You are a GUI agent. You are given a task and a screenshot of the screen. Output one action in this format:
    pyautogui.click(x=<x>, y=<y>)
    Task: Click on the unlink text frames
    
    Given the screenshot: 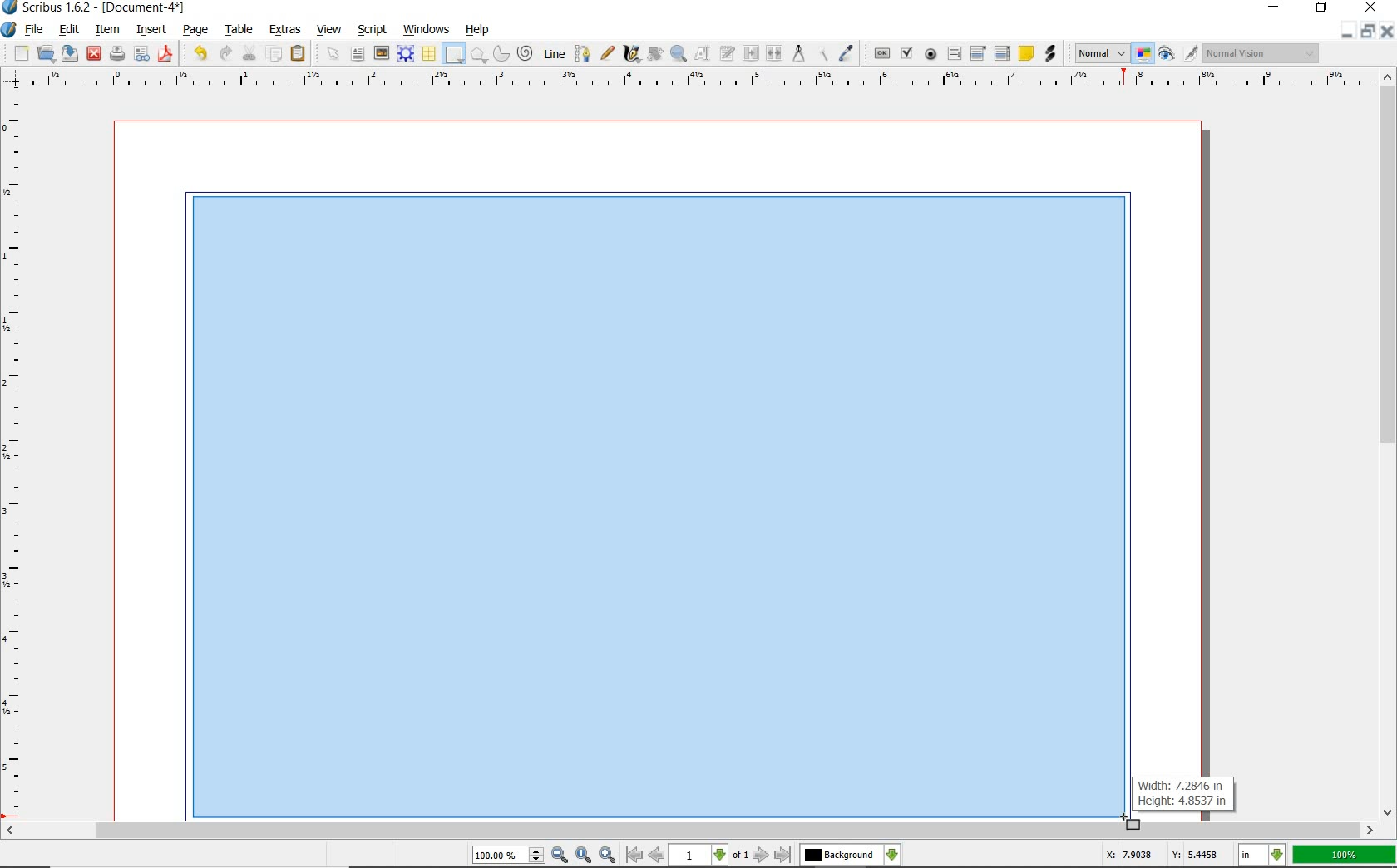 What is the action you would take?
    pyautogui.click(x=773, y=52)
    